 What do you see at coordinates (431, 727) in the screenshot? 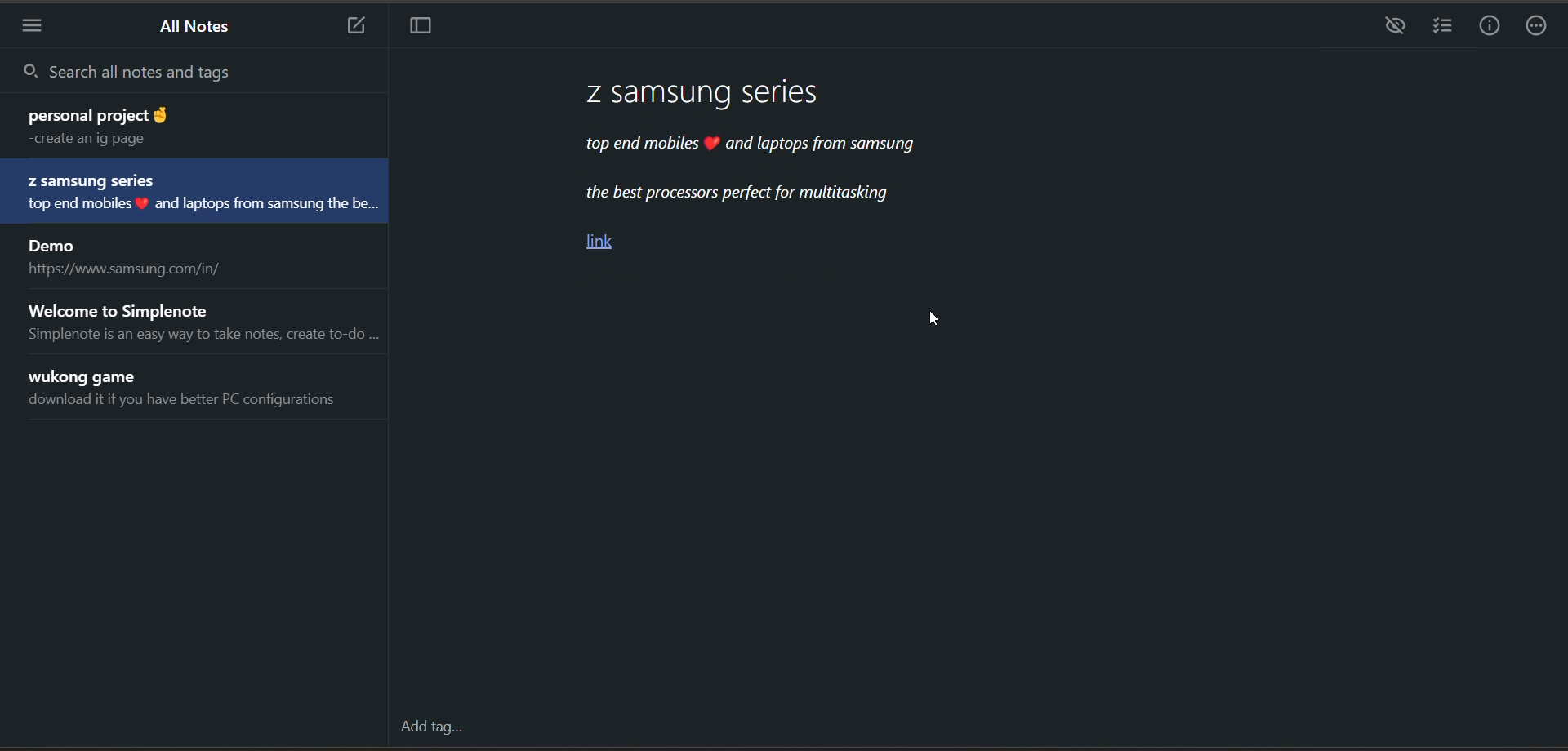
I see `add tag` at bounding box center [431, 727].